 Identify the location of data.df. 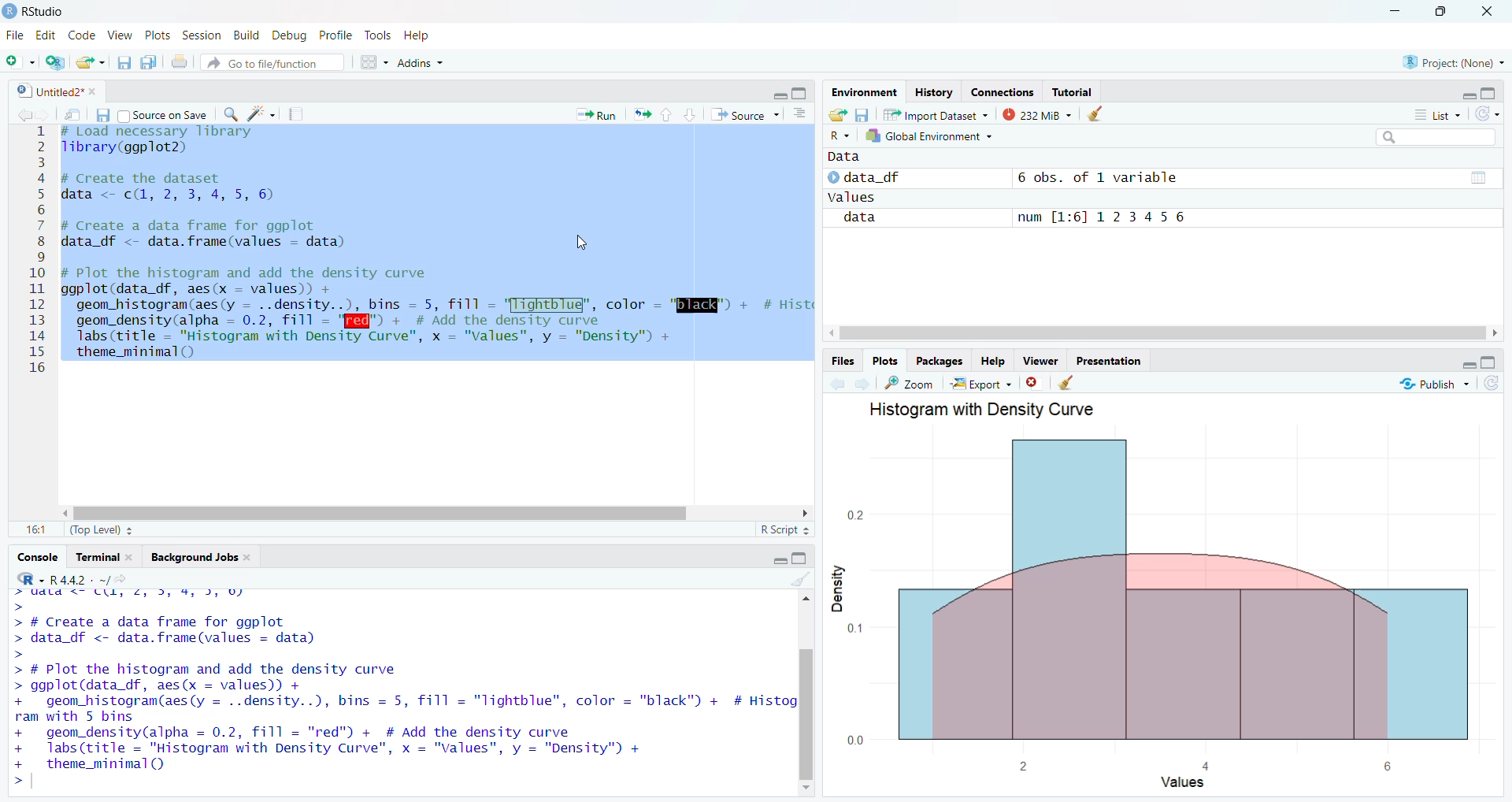
(877, 177).